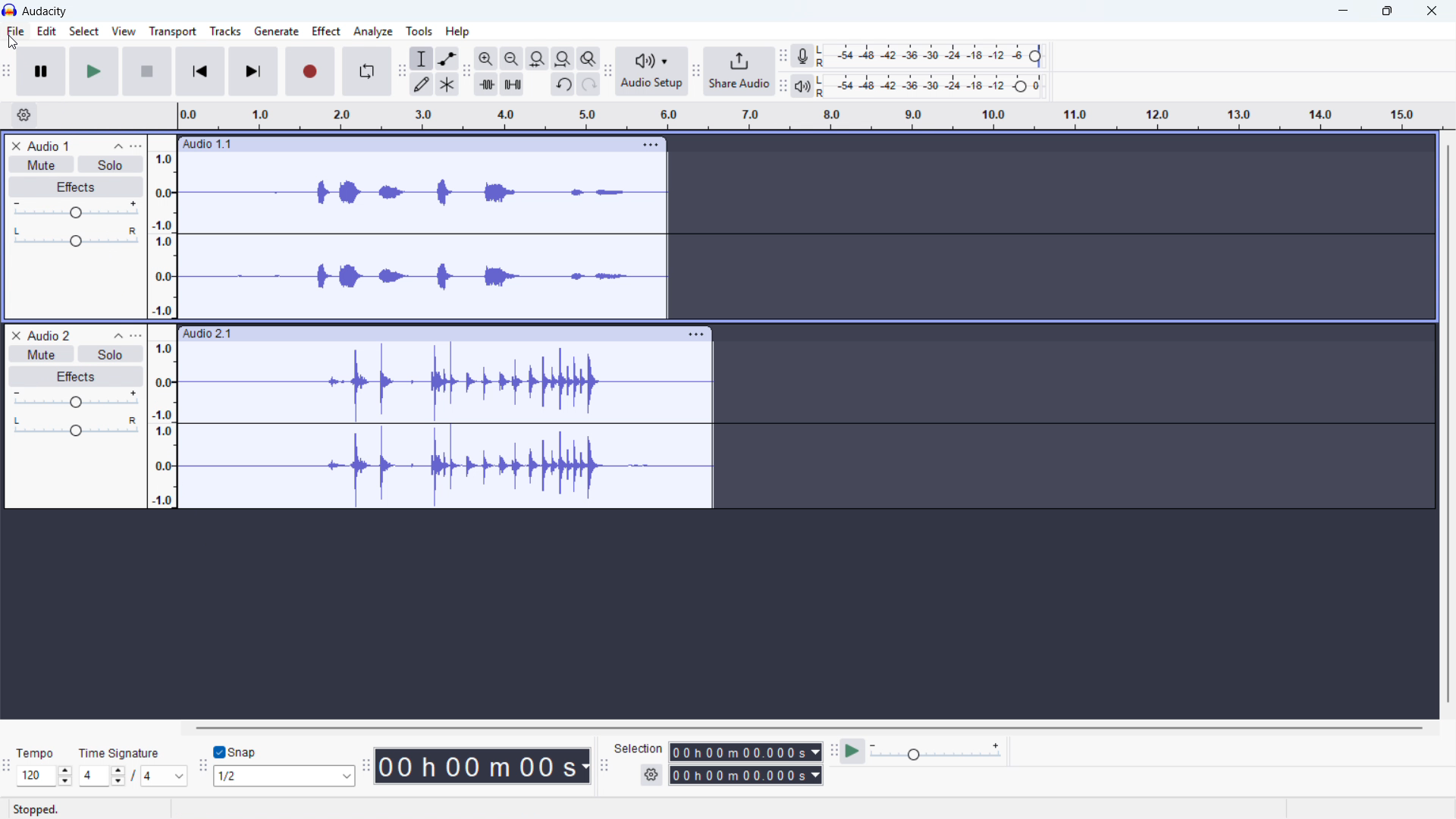  Describe the element at coordinates (852, 752) in the screenshot. I see `Play at speed` at that location.